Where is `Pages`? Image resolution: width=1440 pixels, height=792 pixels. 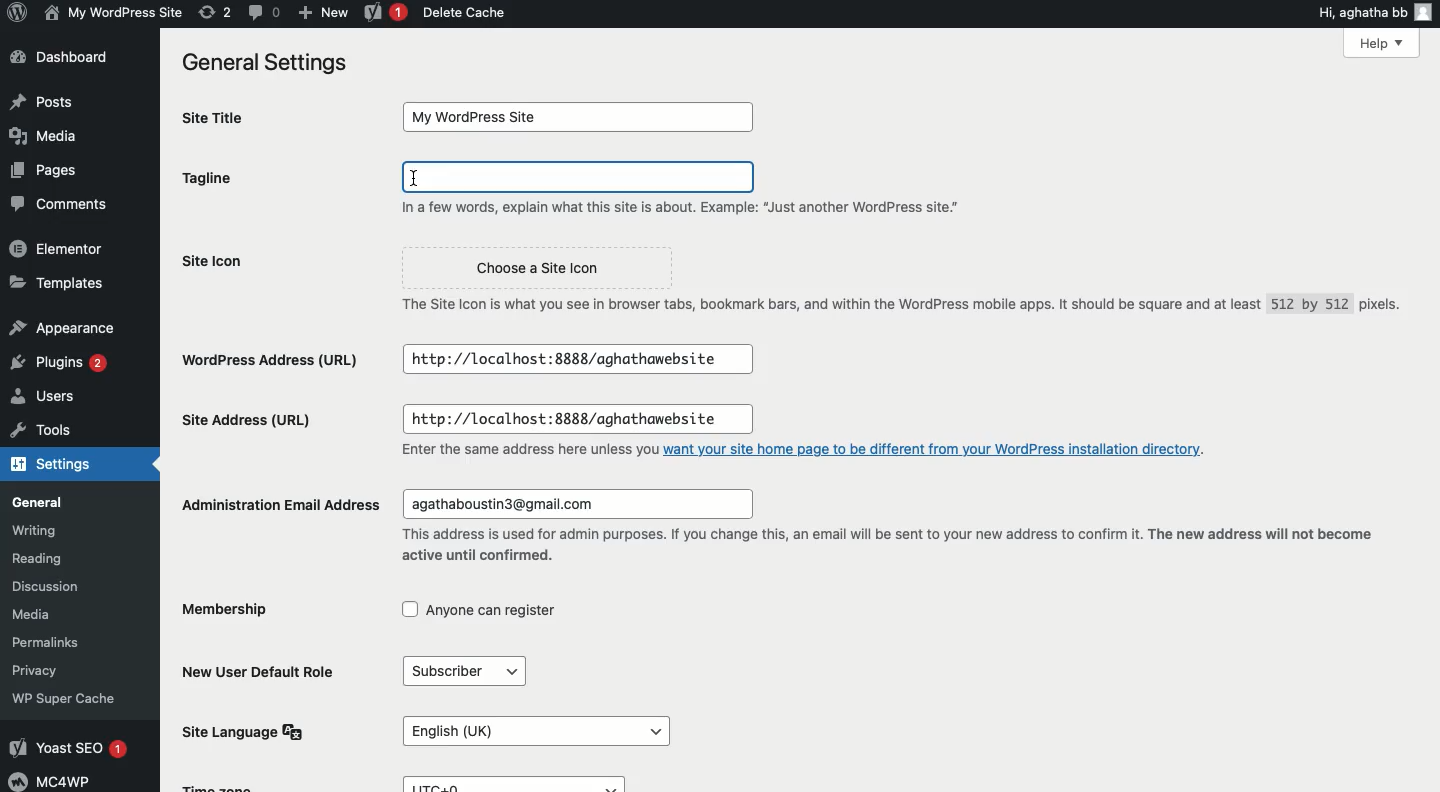
Pages is located at coordinates (40, 172).